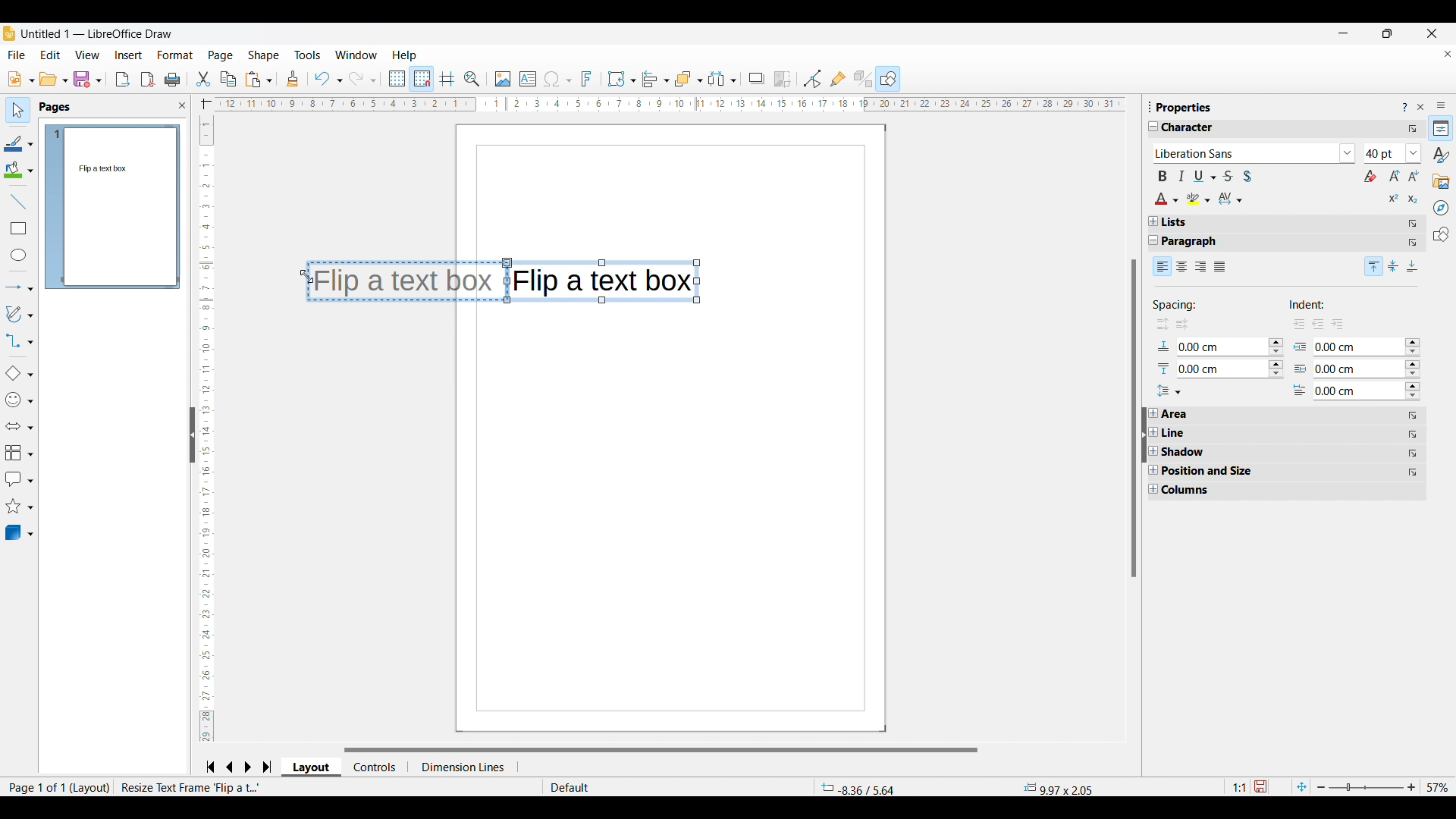 This screenshot has height=819, width=1456. What do you see at coordinates (1247, 176) in the screenshot?
I see `Toggle shadow` at bounding box center [1247, 176].